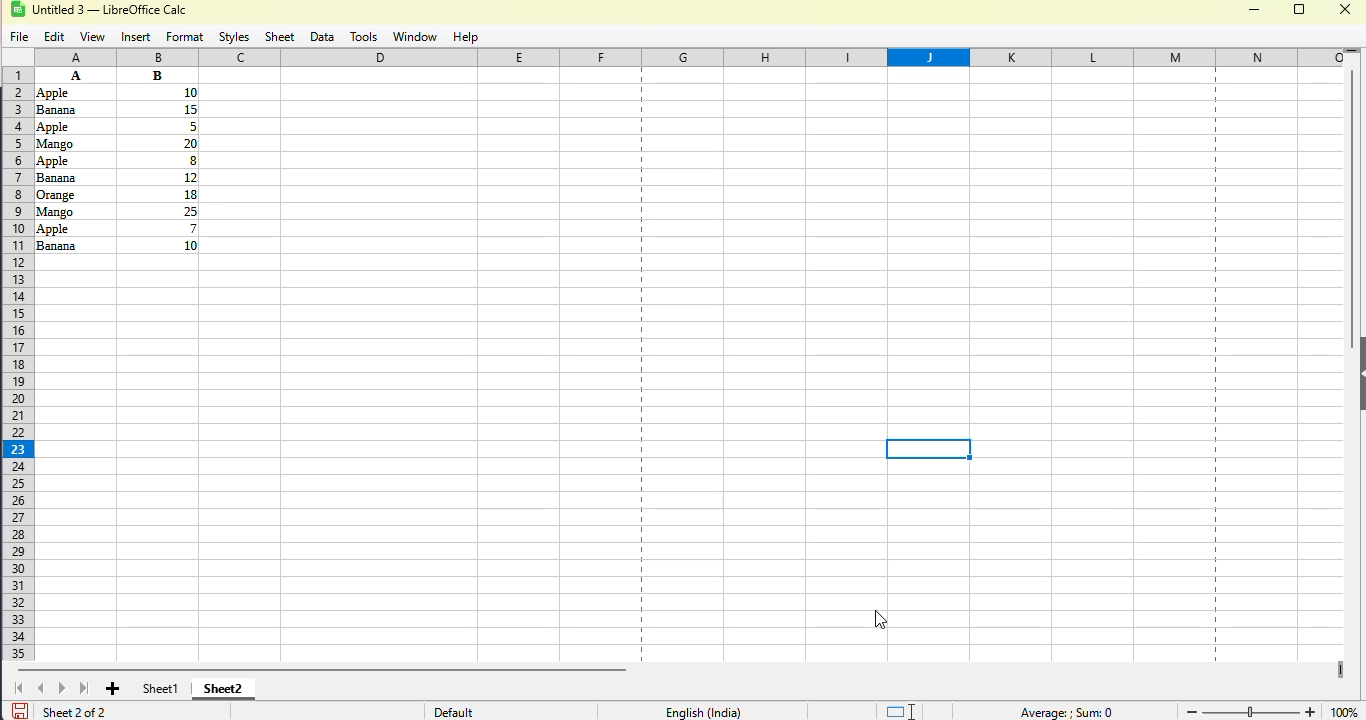  Describe the element at coordinates (322, 38) in the screenshot. I see `data` at that location.